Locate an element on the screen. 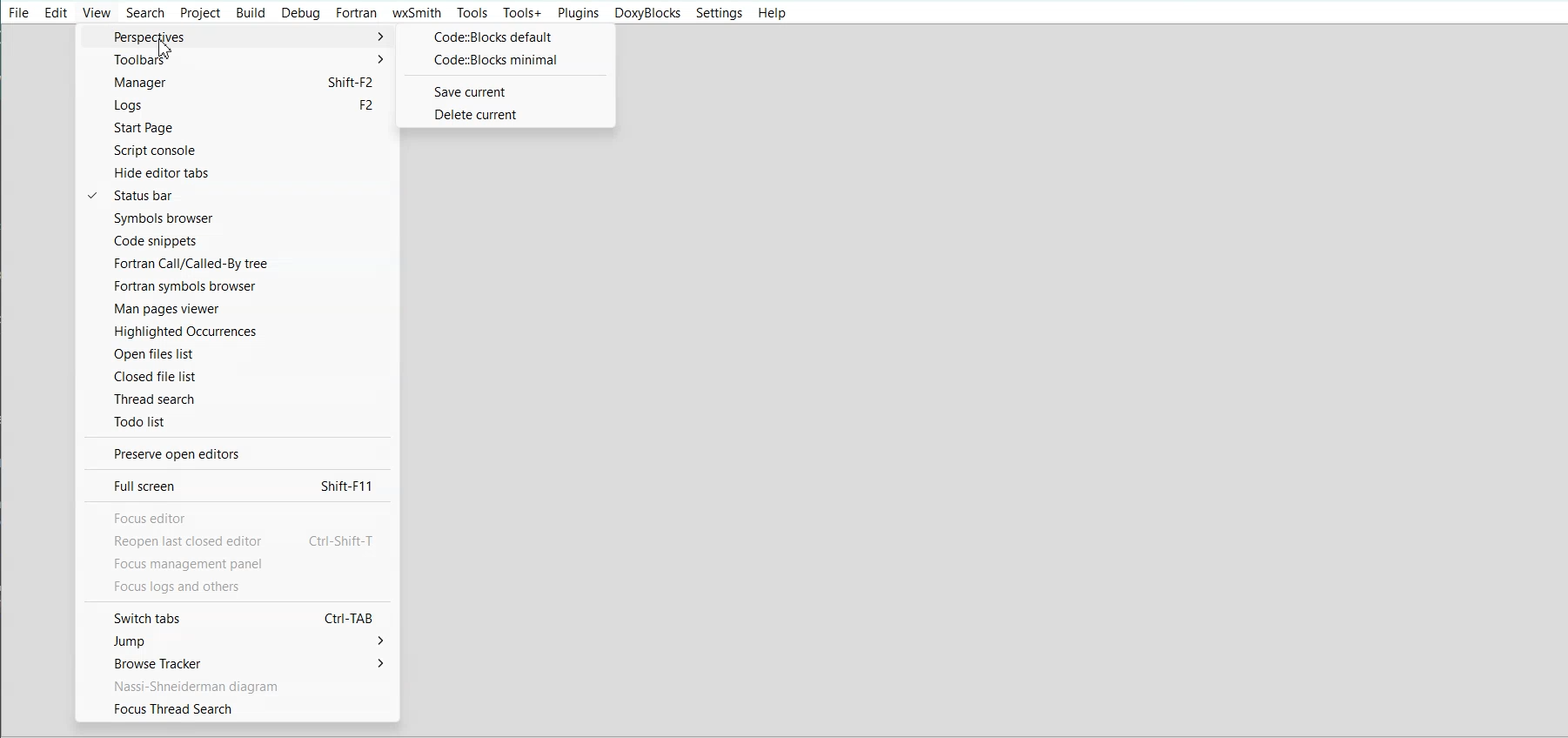 Image resolution: width=1568 pixels, height=738 pixels. Open files list is located at coordinates (237, 353).